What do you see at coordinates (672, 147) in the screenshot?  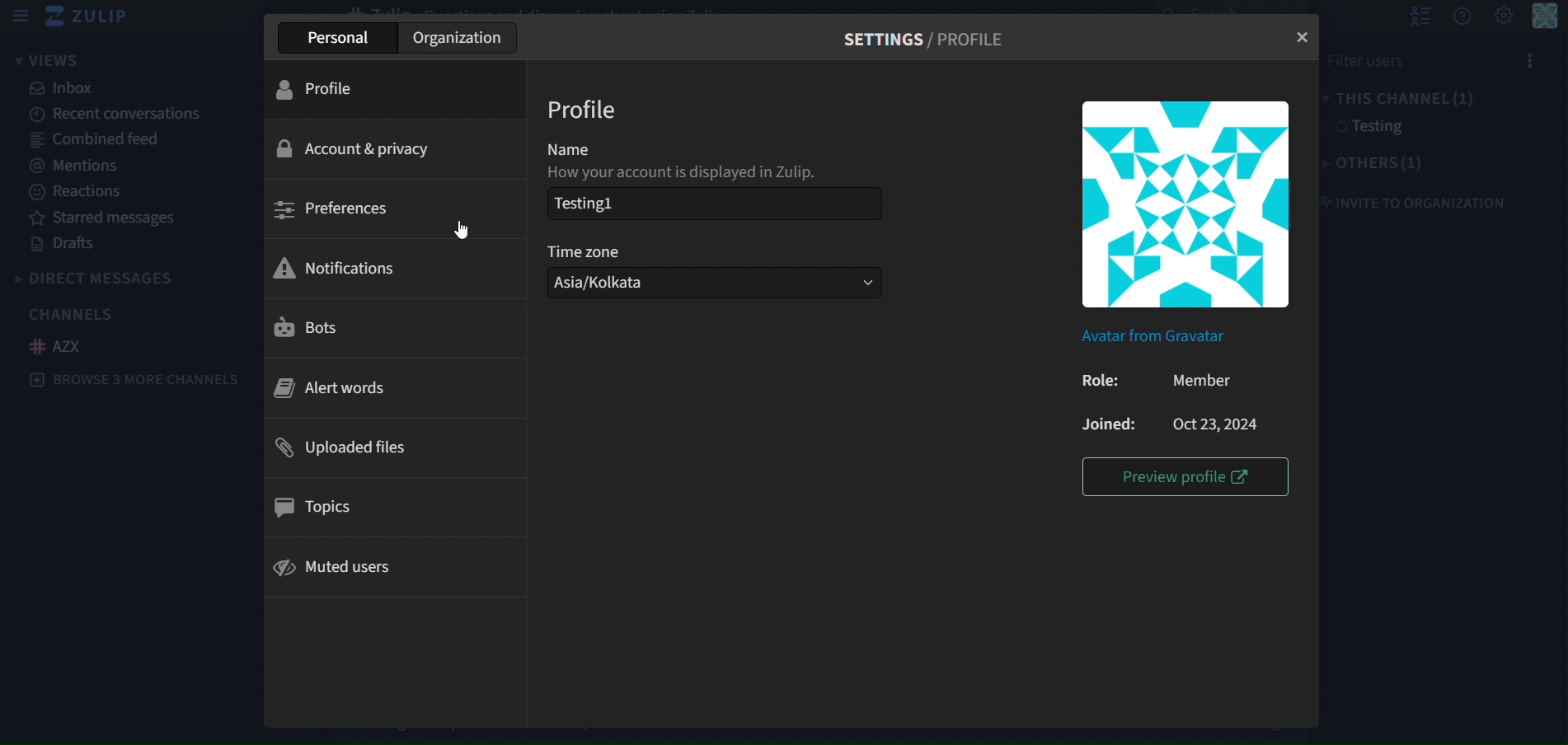 I see `name` at bounding box center [672, 147].